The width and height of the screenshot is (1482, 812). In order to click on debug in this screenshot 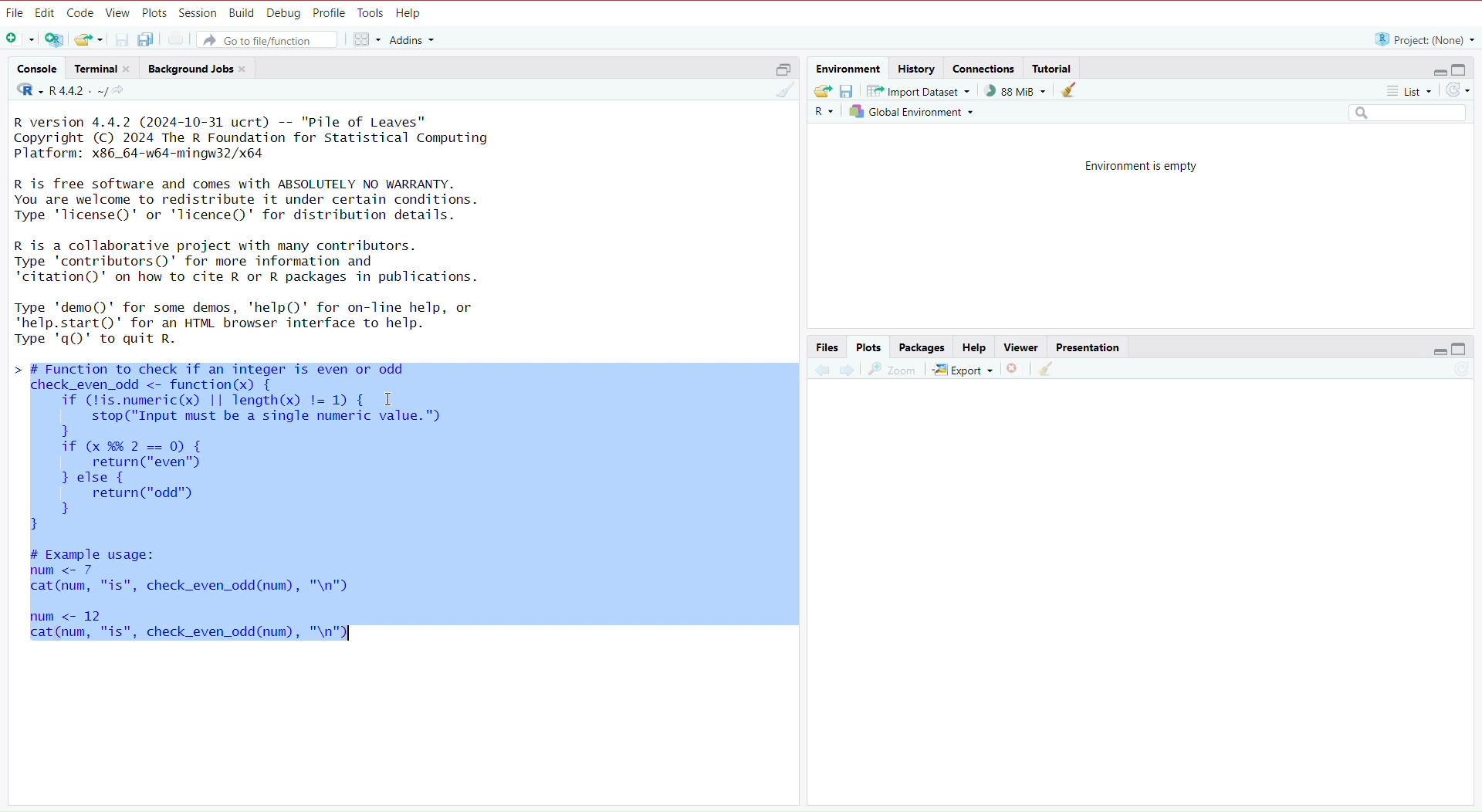, I will do `click(284, 14)`.